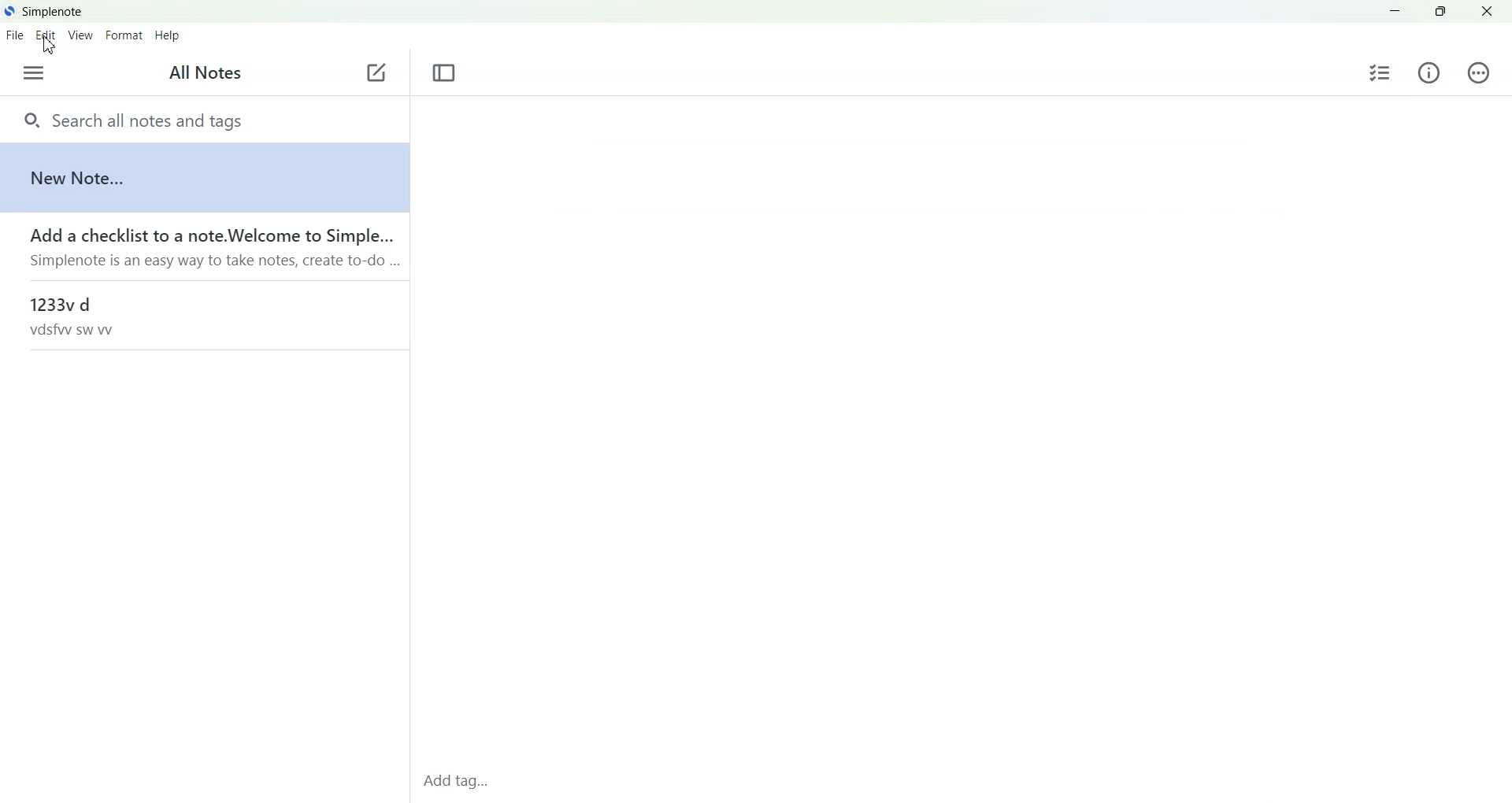 Image resolution: width=1512 pixels, height=803 pixels. I want to click on Info, so click(1429, 72).